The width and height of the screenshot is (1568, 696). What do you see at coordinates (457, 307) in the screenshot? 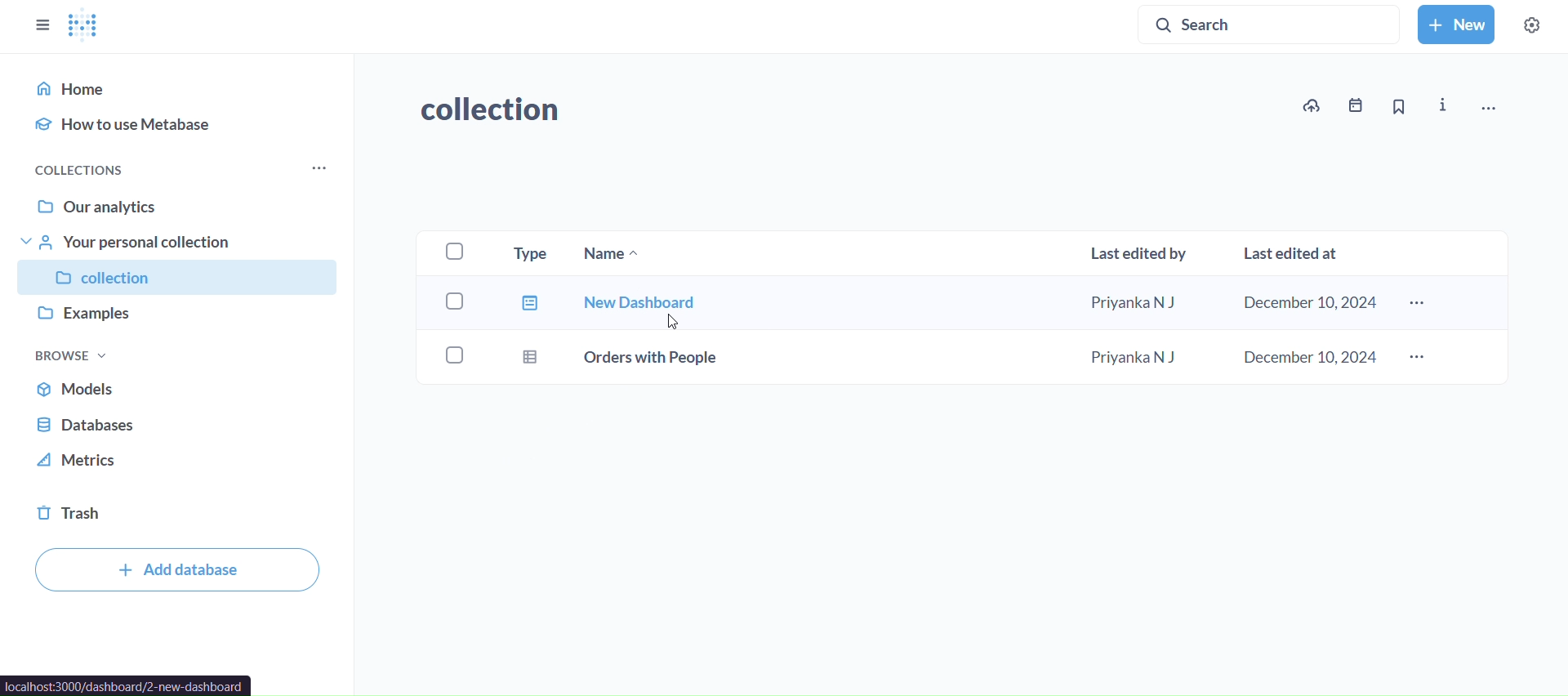
I see `checkboxes` at bounding box center [457, 307].